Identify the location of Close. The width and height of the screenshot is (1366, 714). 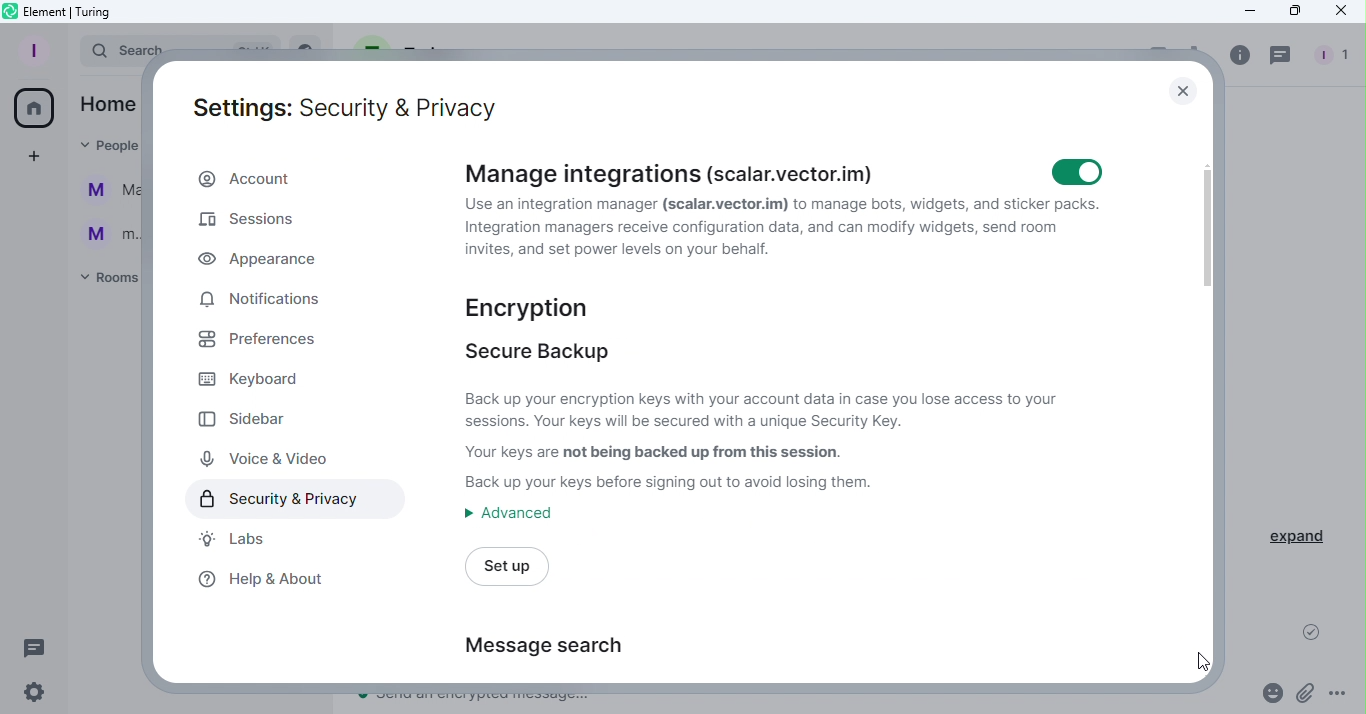
(1341, 12).